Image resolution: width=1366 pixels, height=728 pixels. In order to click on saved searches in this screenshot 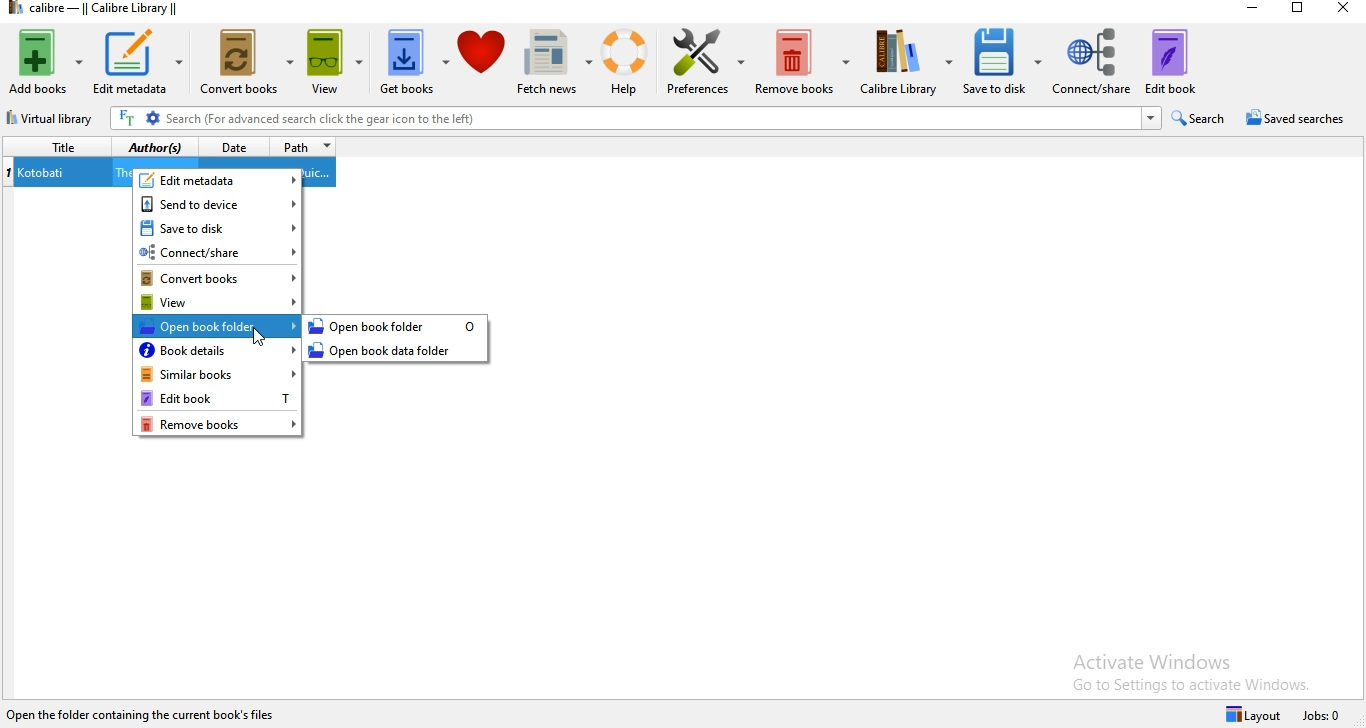, I will do `click(1297, 118)`.